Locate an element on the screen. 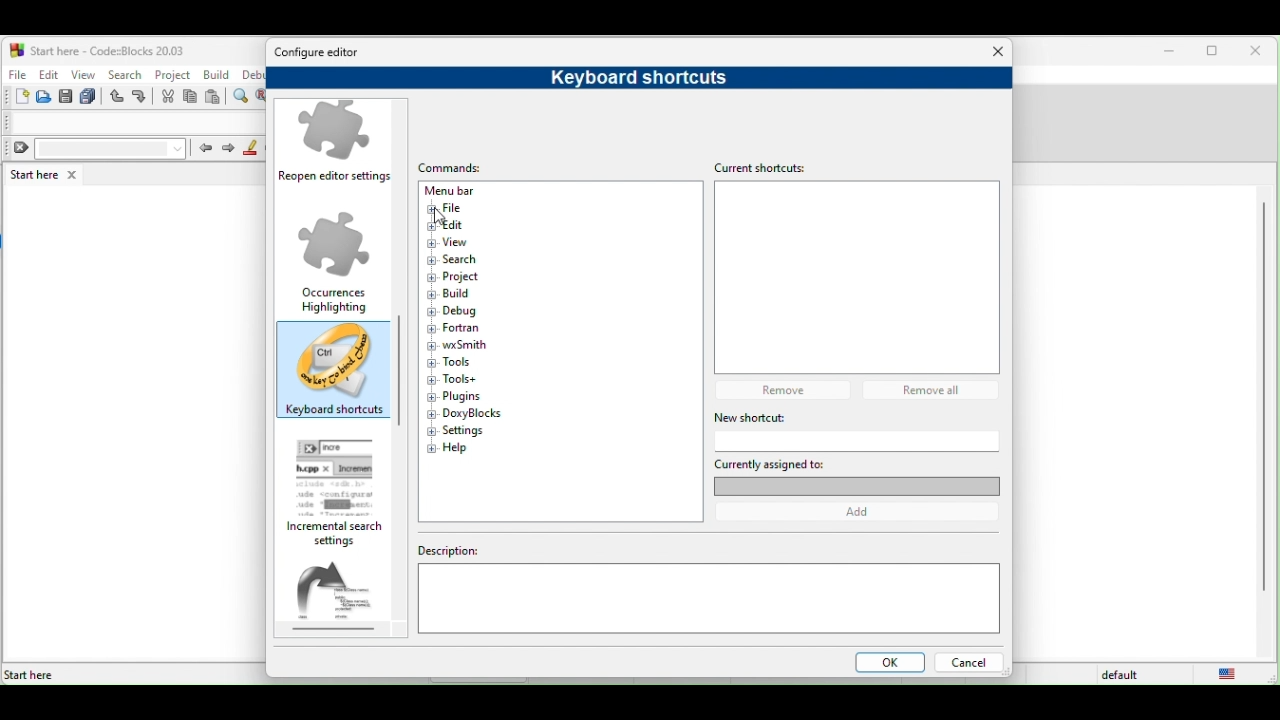 Image resolution: width=1280 pixels, height=720 pixels. build is located at coordinates (457, 294).